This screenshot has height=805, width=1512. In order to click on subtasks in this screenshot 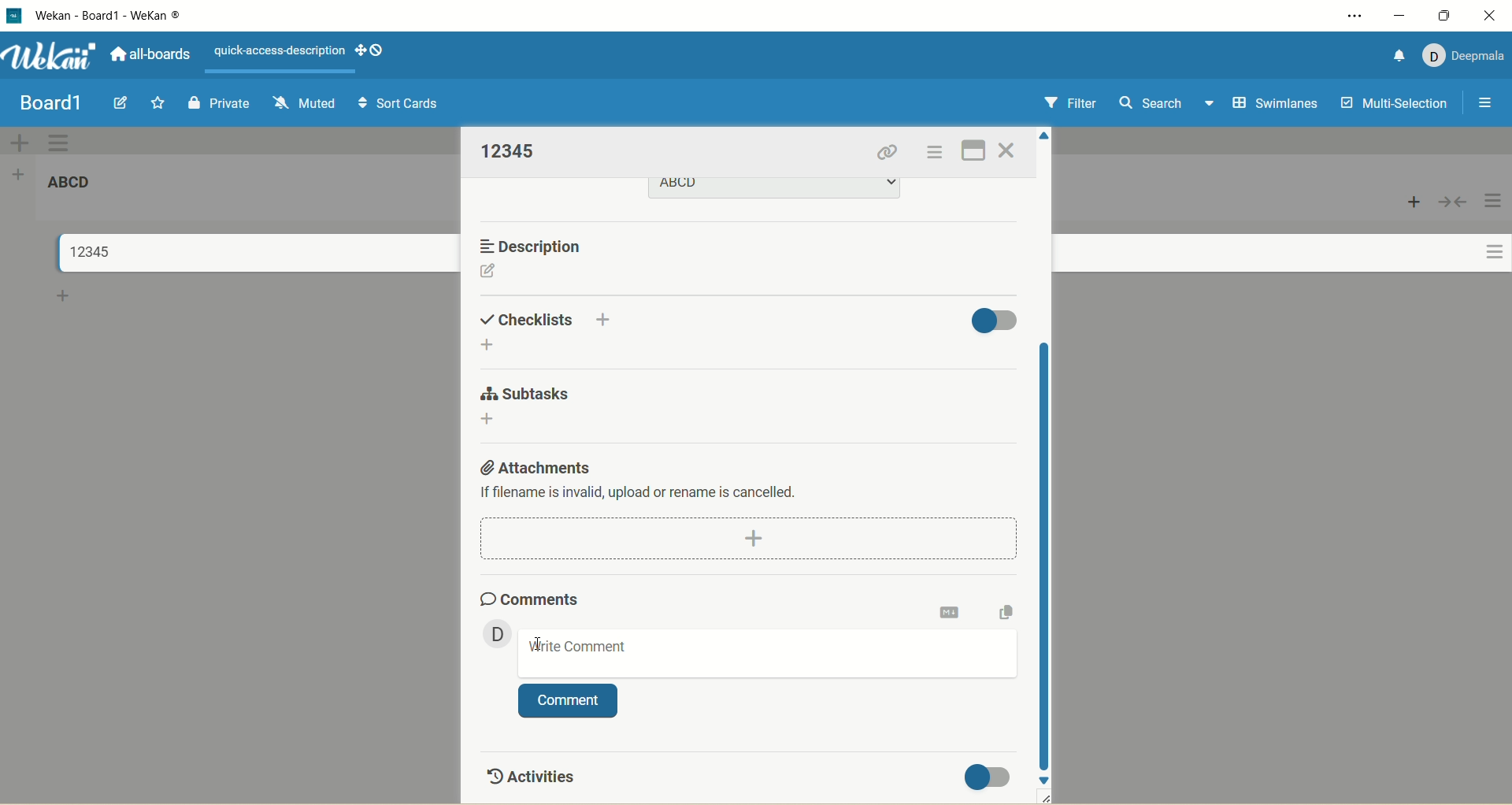, I will do `click(523, 394)`.